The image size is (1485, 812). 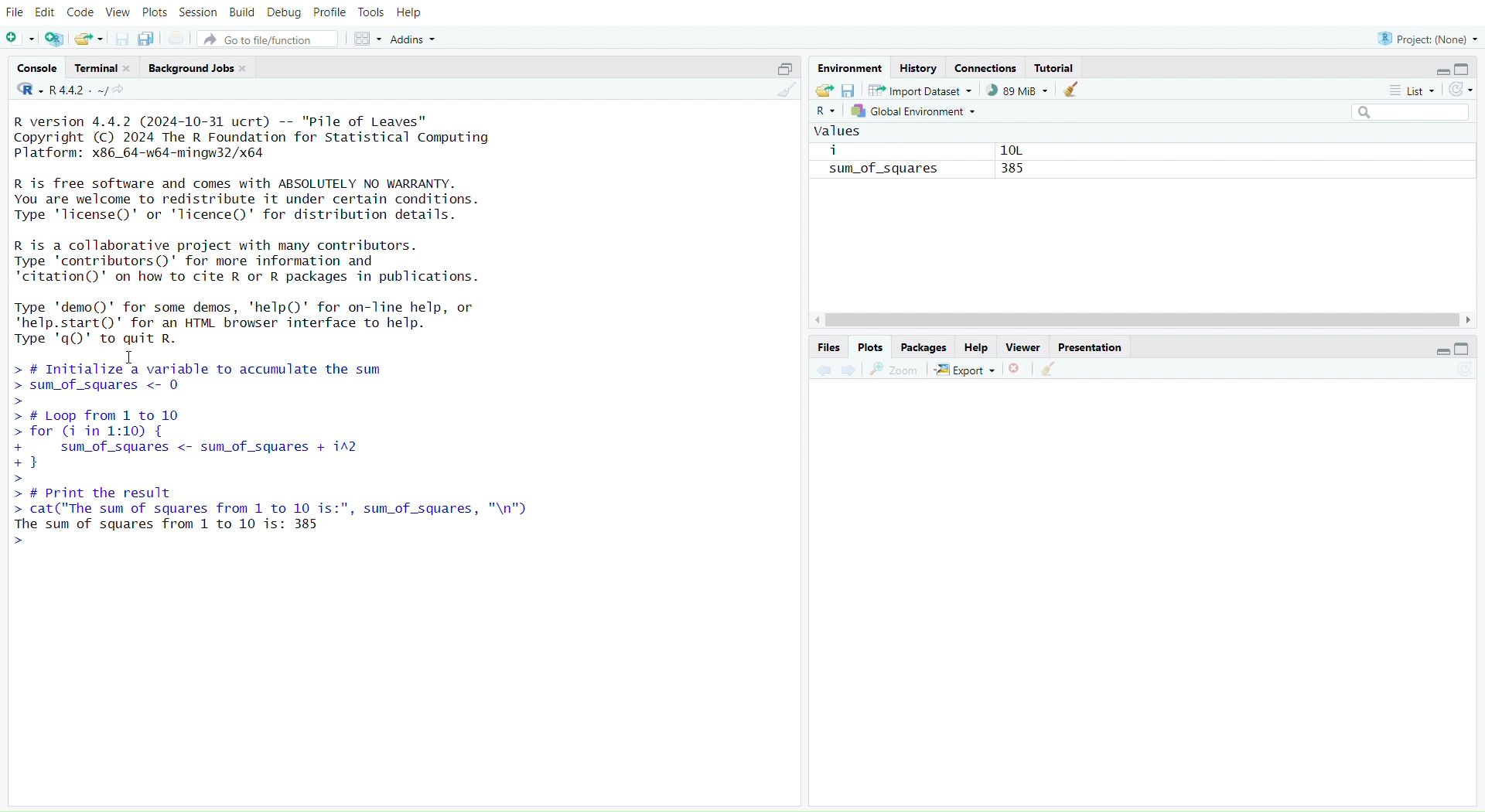 I want to click on Type 'demo()' for some demos, 'help()' for on-line help, orhelp.start()' for an HTML browser interface to help.Type 'q() to quit R., so click(x=258, y=324).